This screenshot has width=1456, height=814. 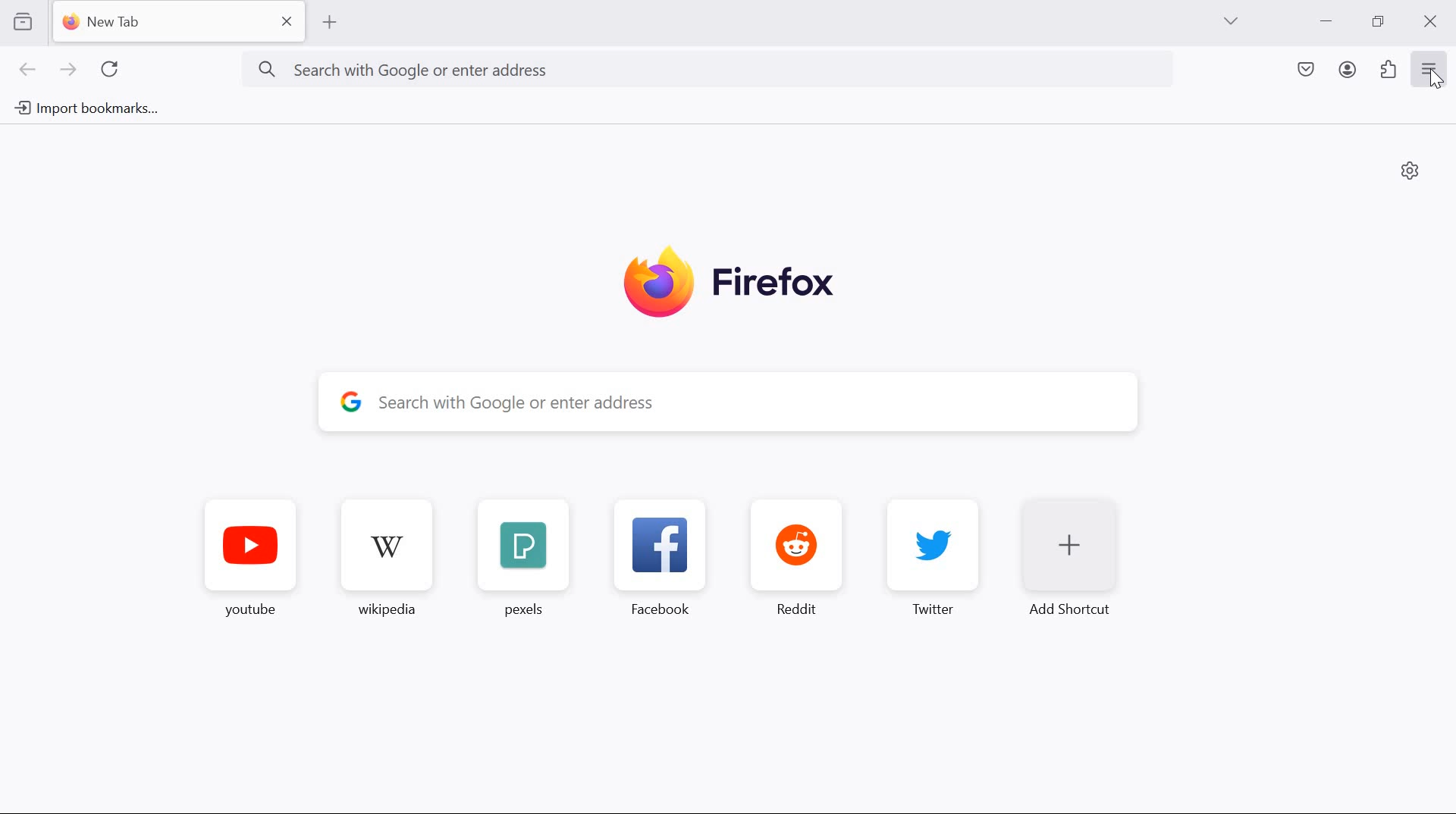 I want to click on wikipedia, so click(x=388, y=553).